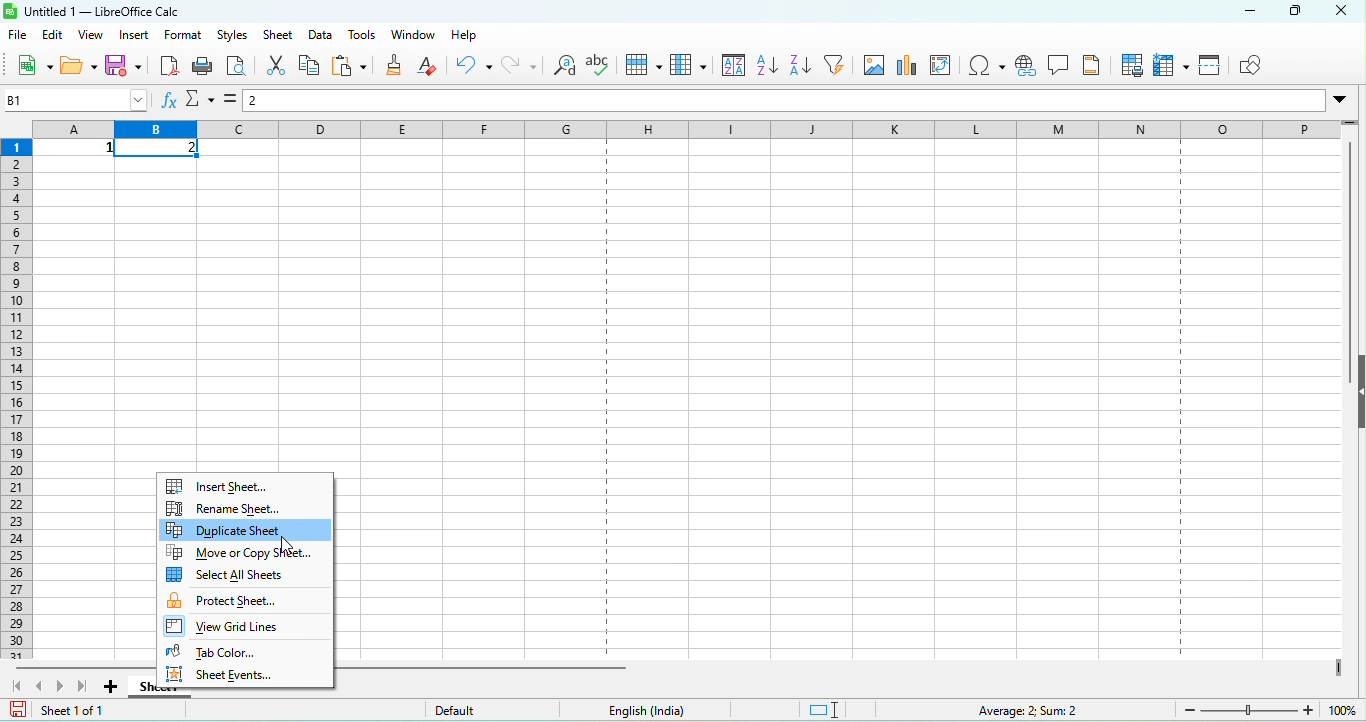  What do you see at coordinates (876, 69) in the screenshot?
I see `image` at bounding box center [876, 69].